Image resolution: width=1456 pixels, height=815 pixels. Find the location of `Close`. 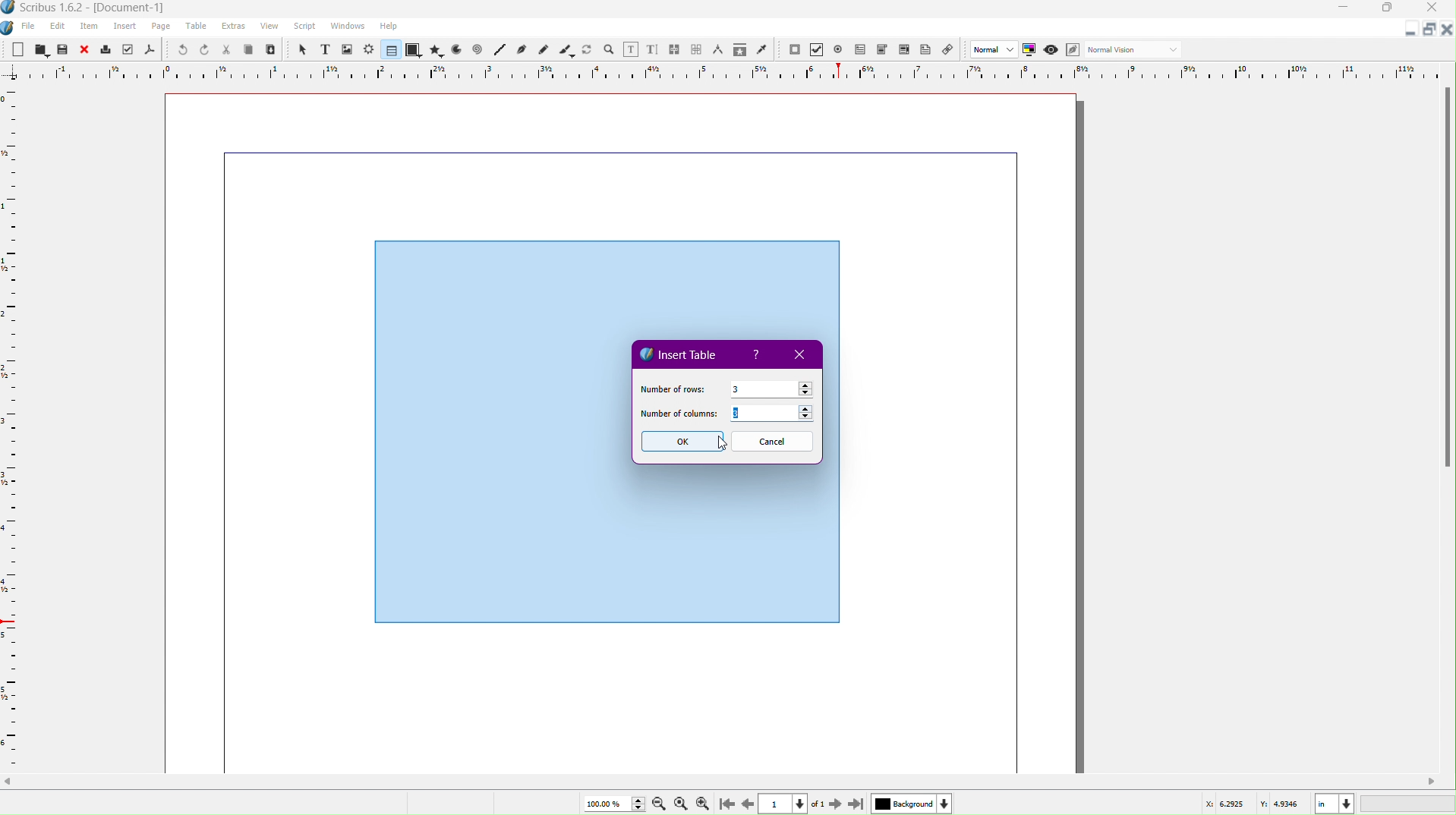

Close is located at coordinates (1447, 30).